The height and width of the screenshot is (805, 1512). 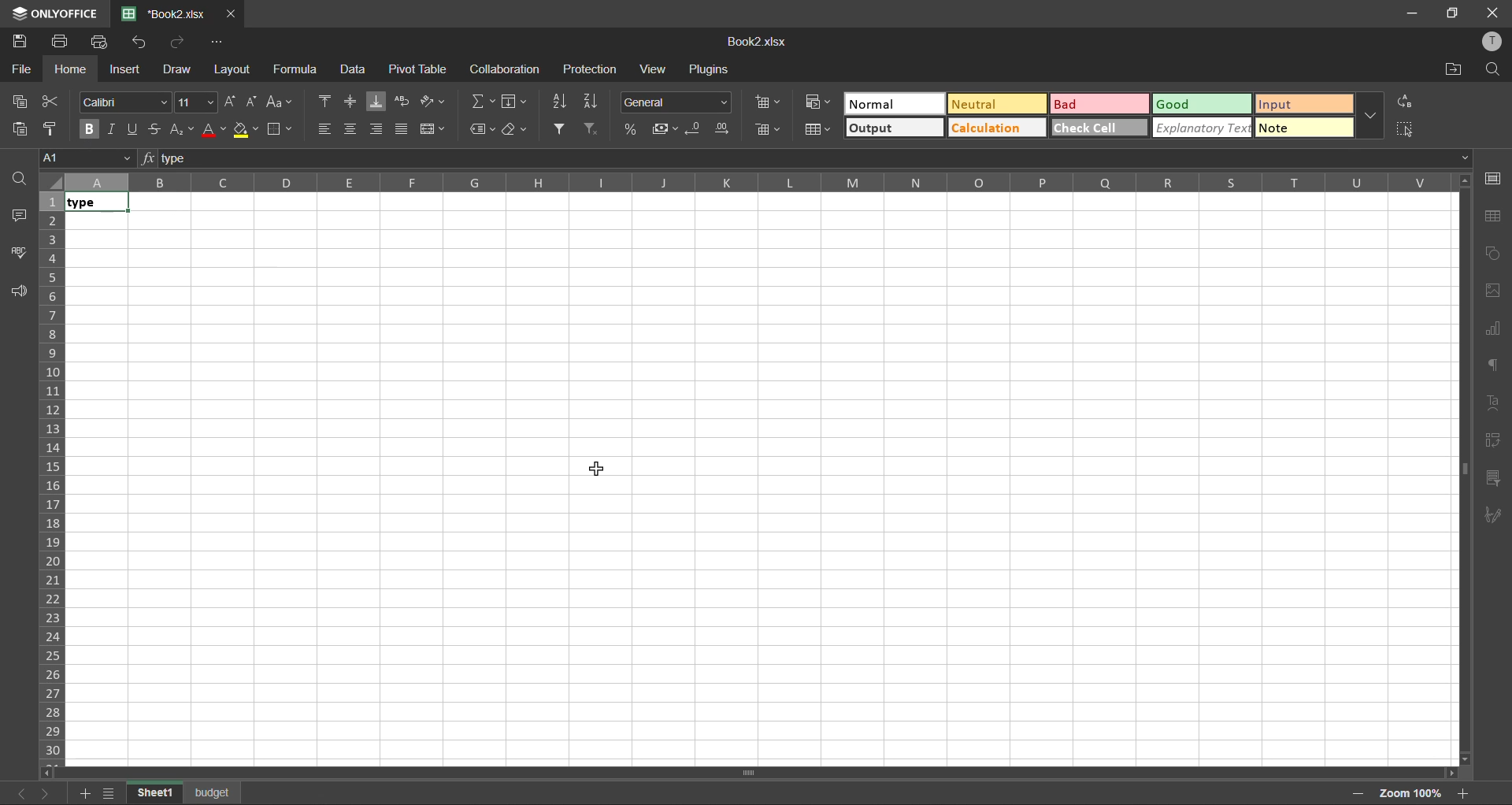 I want to click on italic, so click(x=113, y=130).